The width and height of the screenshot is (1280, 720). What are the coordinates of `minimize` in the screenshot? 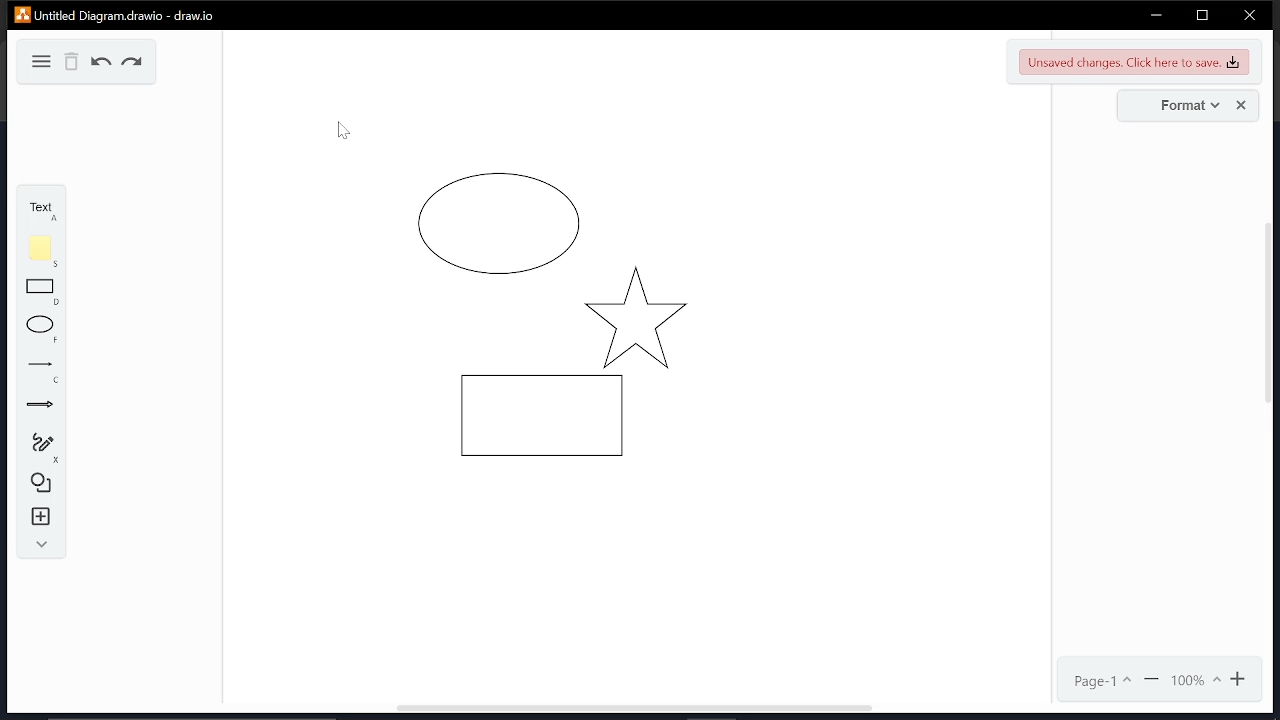 It's located at (1156, 15).